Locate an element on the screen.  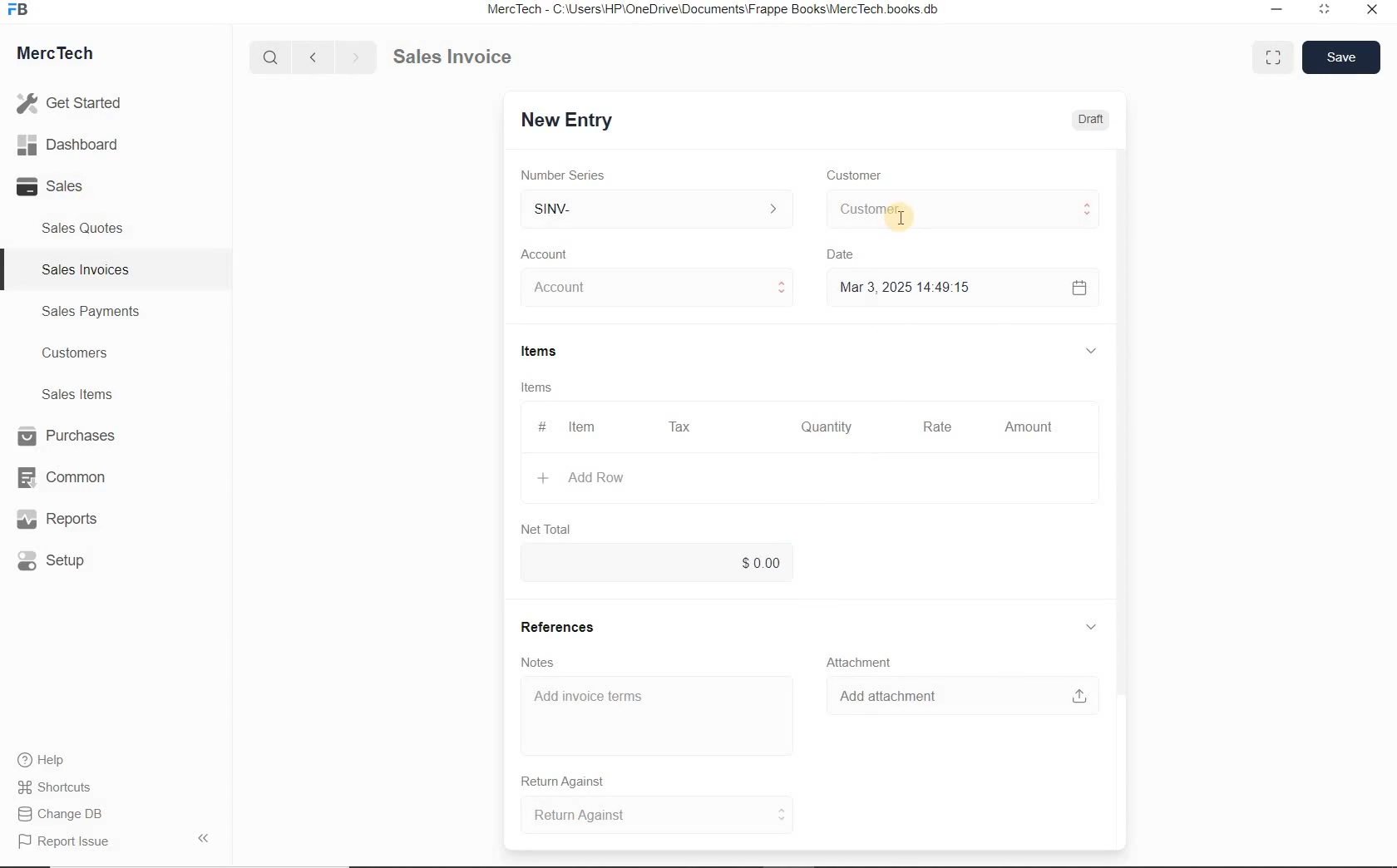
Sales Invoices is located at coordinates (86, 269).